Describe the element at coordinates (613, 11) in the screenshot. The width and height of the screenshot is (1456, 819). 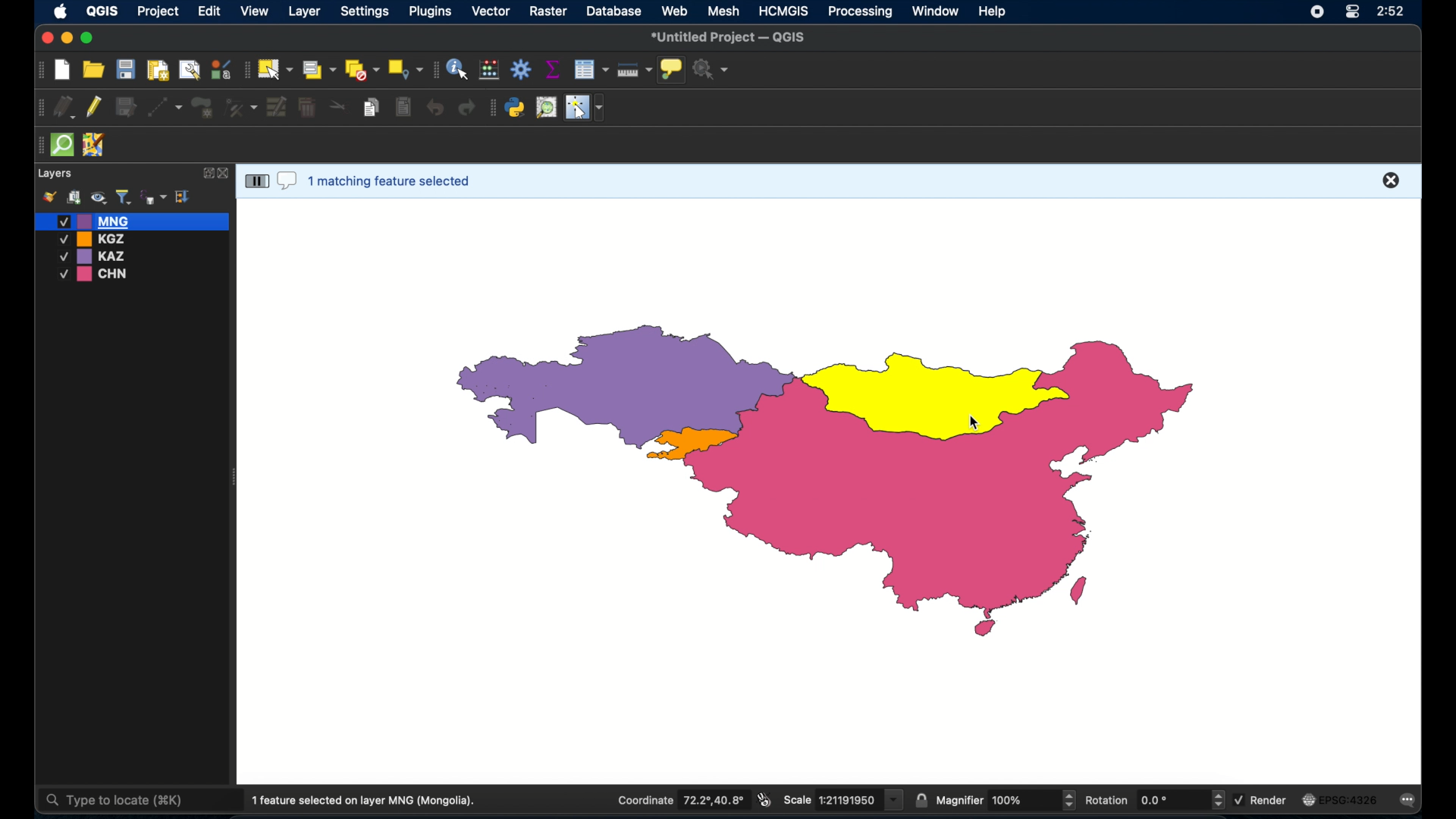
I see `database` at that location.